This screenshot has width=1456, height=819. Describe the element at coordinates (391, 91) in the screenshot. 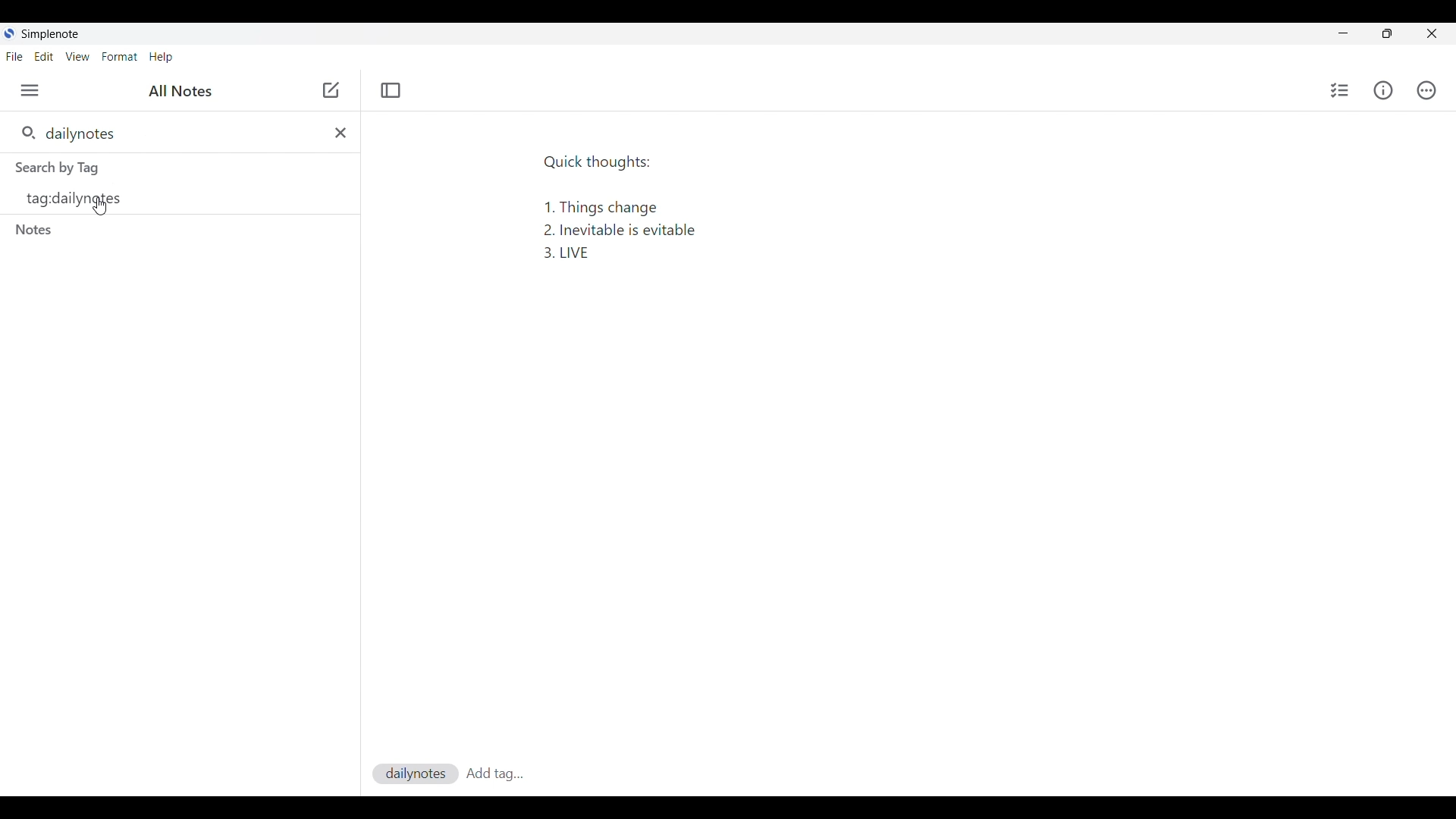

I see `Toggle focus mode` at that location.